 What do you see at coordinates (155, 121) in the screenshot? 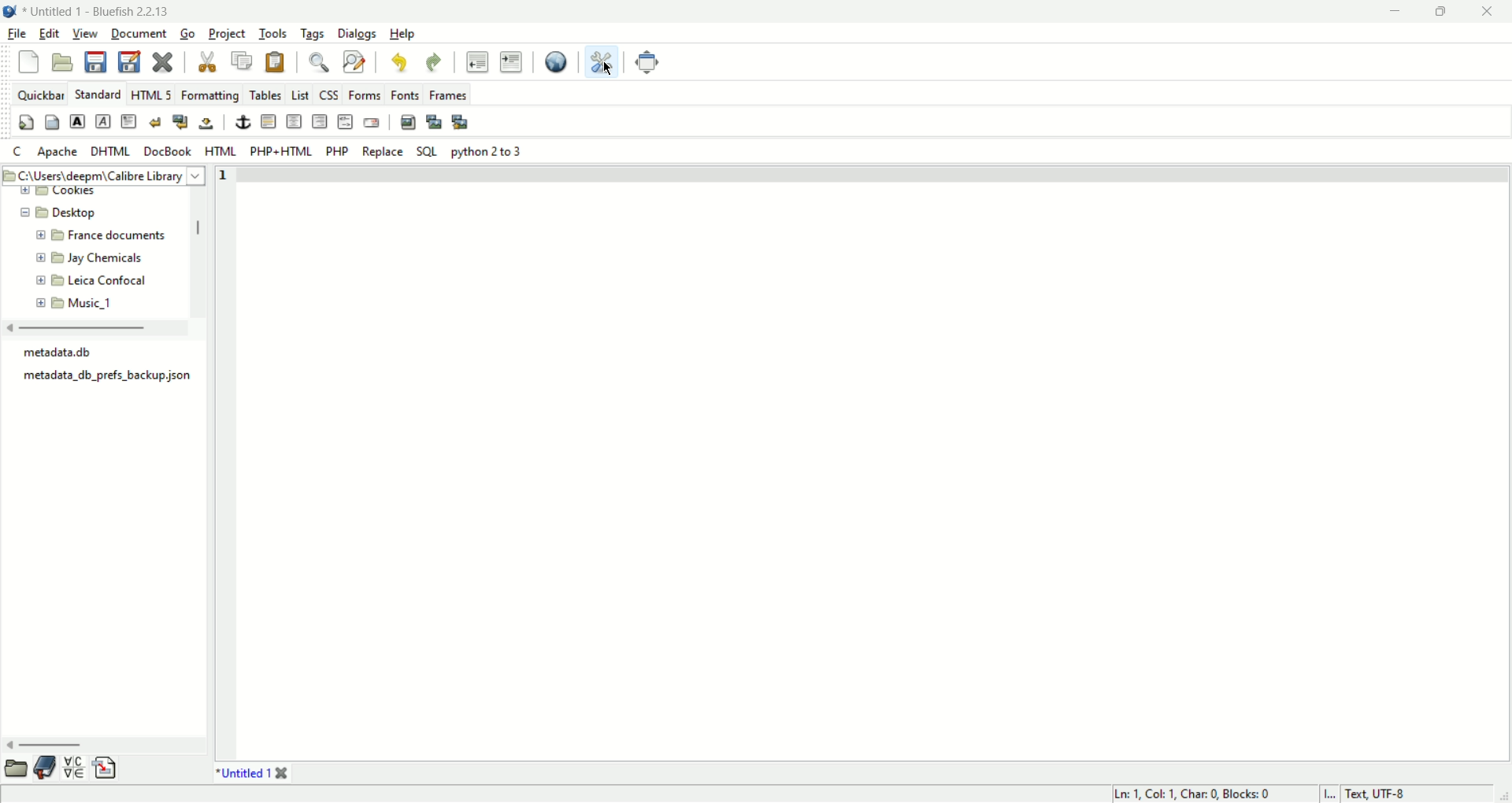
I see `break` at bounding box center [155, 121].